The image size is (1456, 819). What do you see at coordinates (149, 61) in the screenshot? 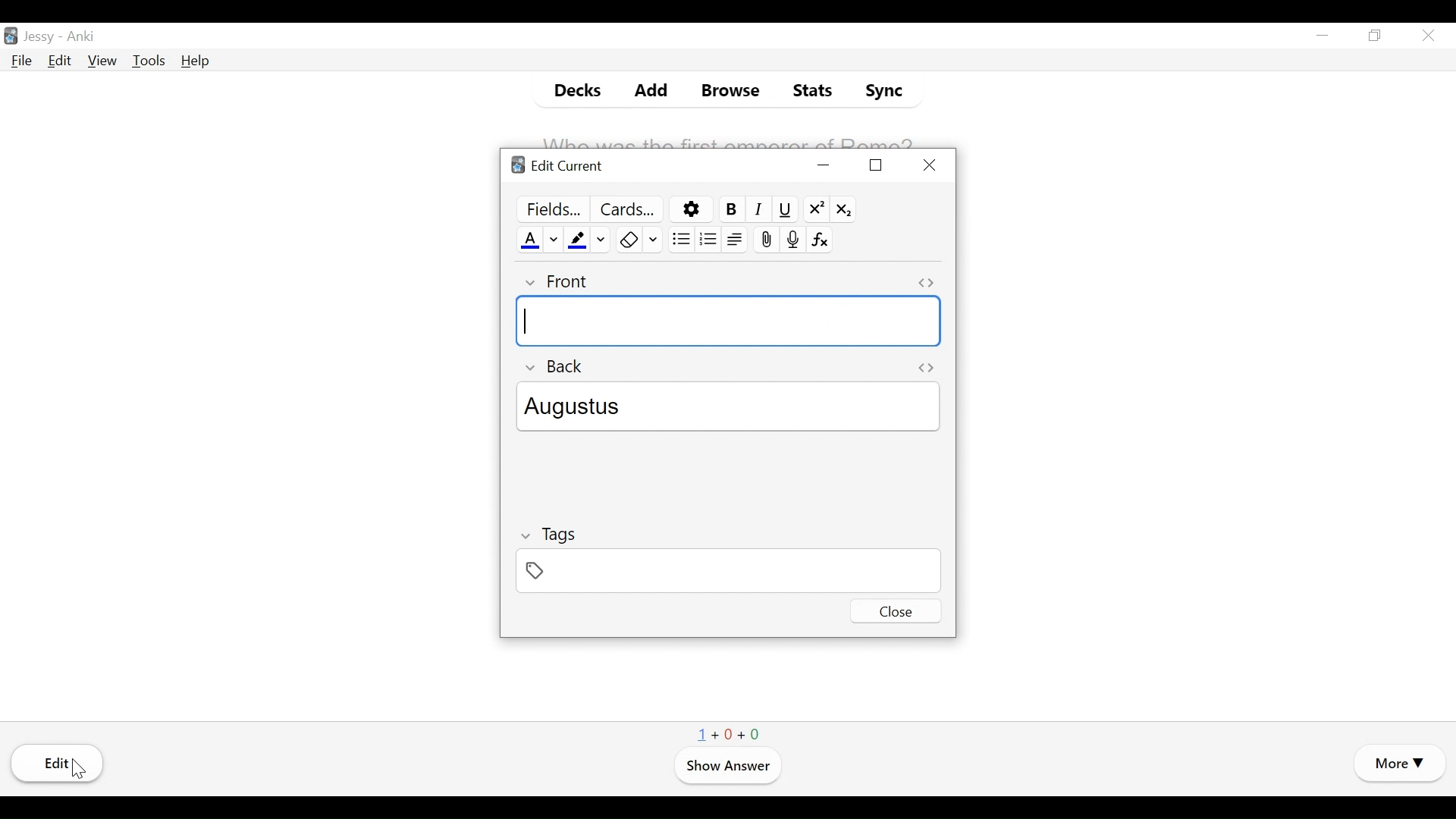
I see `Tools` at bounding box center [149, 61].